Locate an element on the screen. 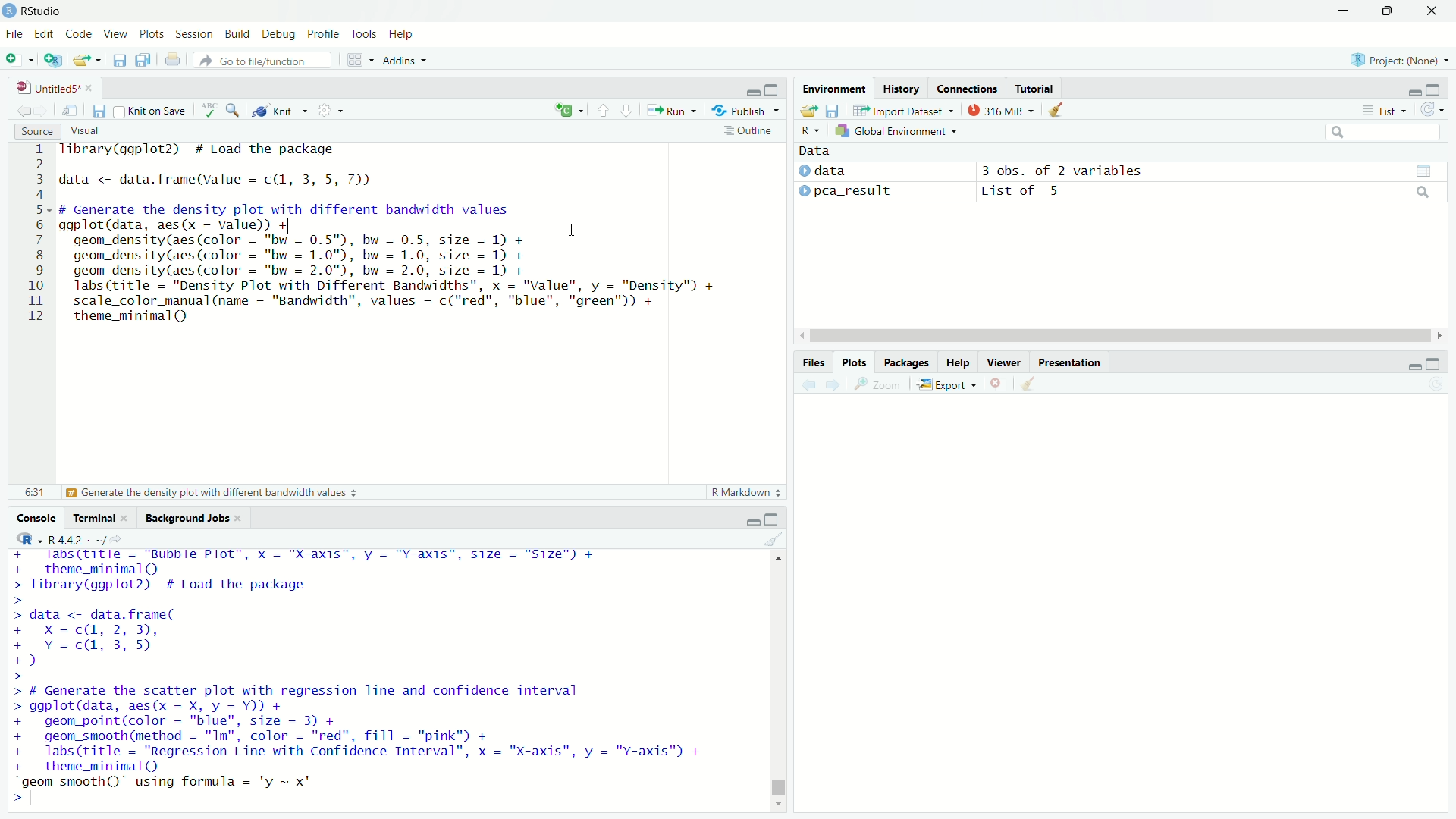 This screenshot has height=819, width=1456. Plots is located at coordinates (151, 33).